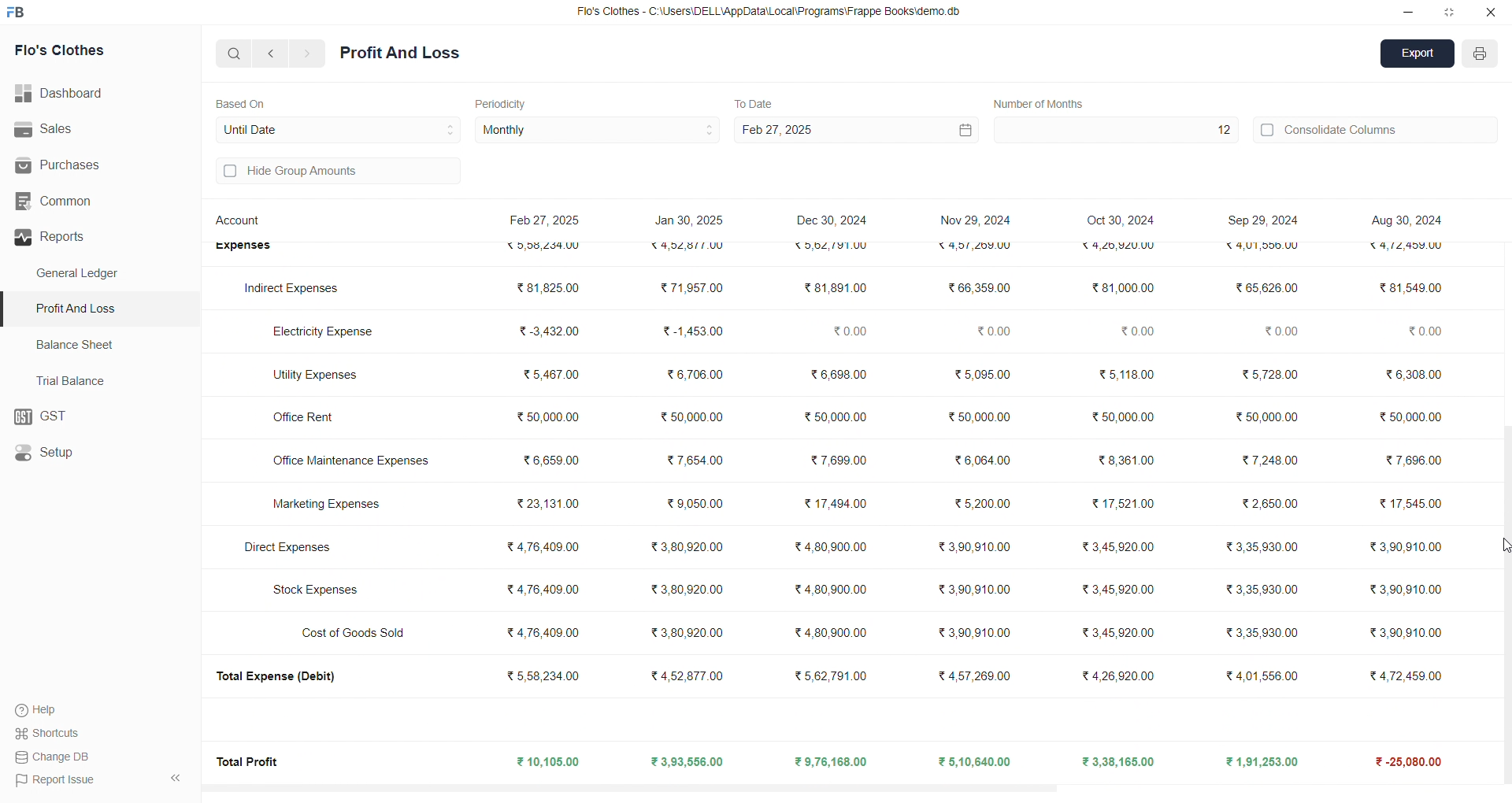 Image resolution: width=1512 pixels, height=803 pixels. Describe the element at coordinates (829, 246) in the screenshot. I see `₹5,62,791.00` at that location.